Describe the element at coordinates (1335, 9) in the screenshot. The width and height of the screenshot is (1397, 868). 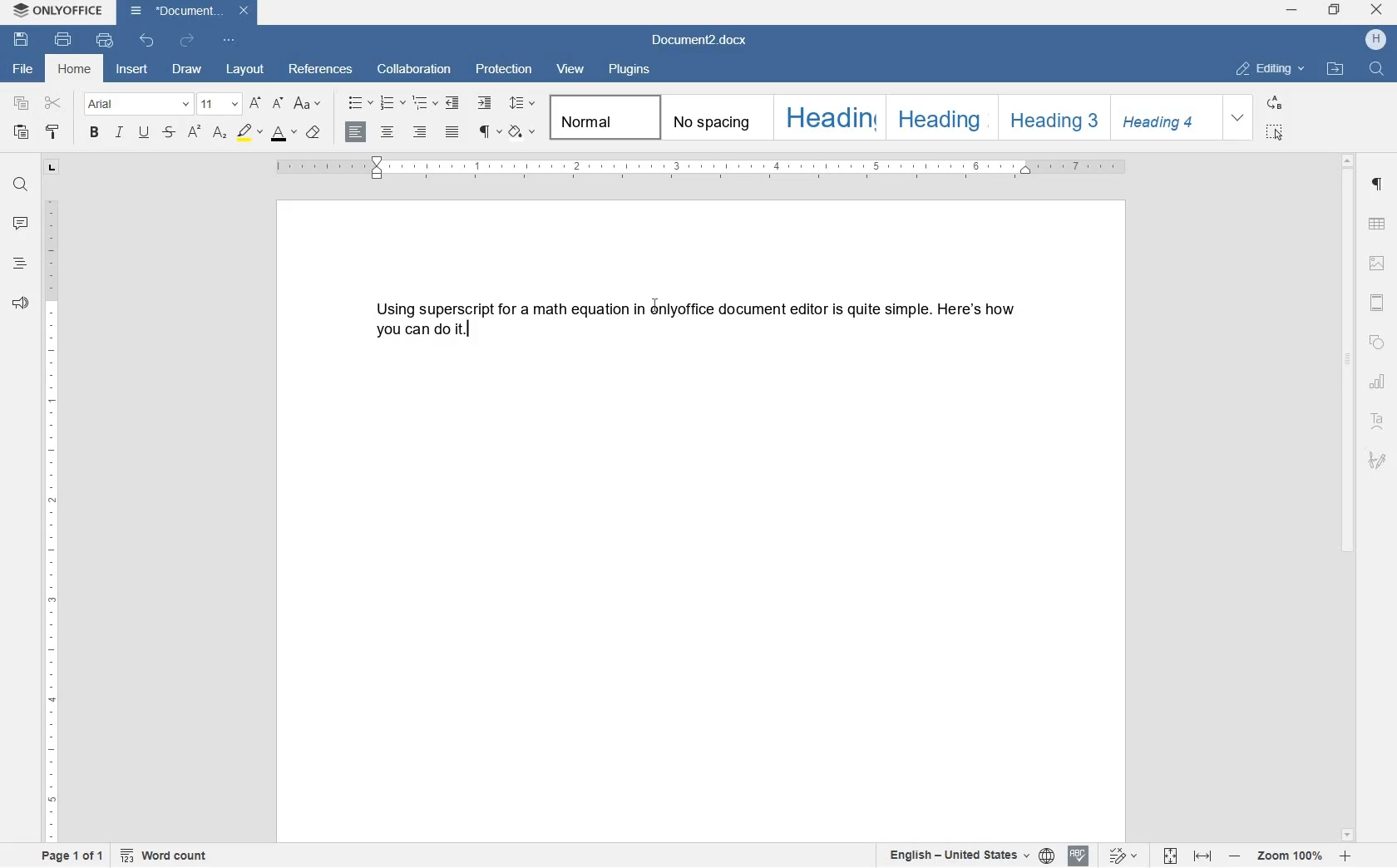
I see `restore` at that location.